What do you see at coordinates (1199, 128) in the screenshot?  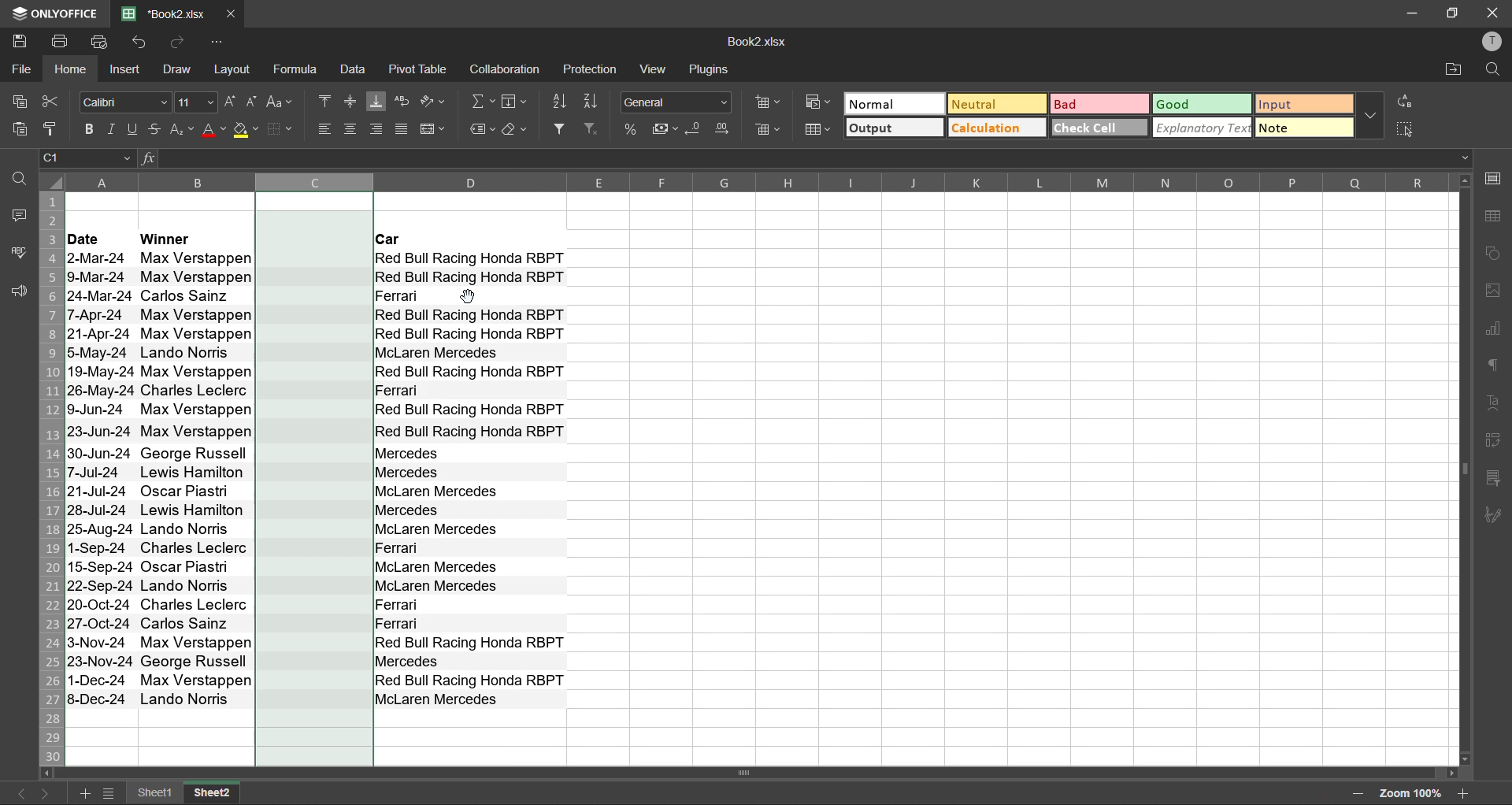 I see `explanatory text` at bounding box center [1199, 128].